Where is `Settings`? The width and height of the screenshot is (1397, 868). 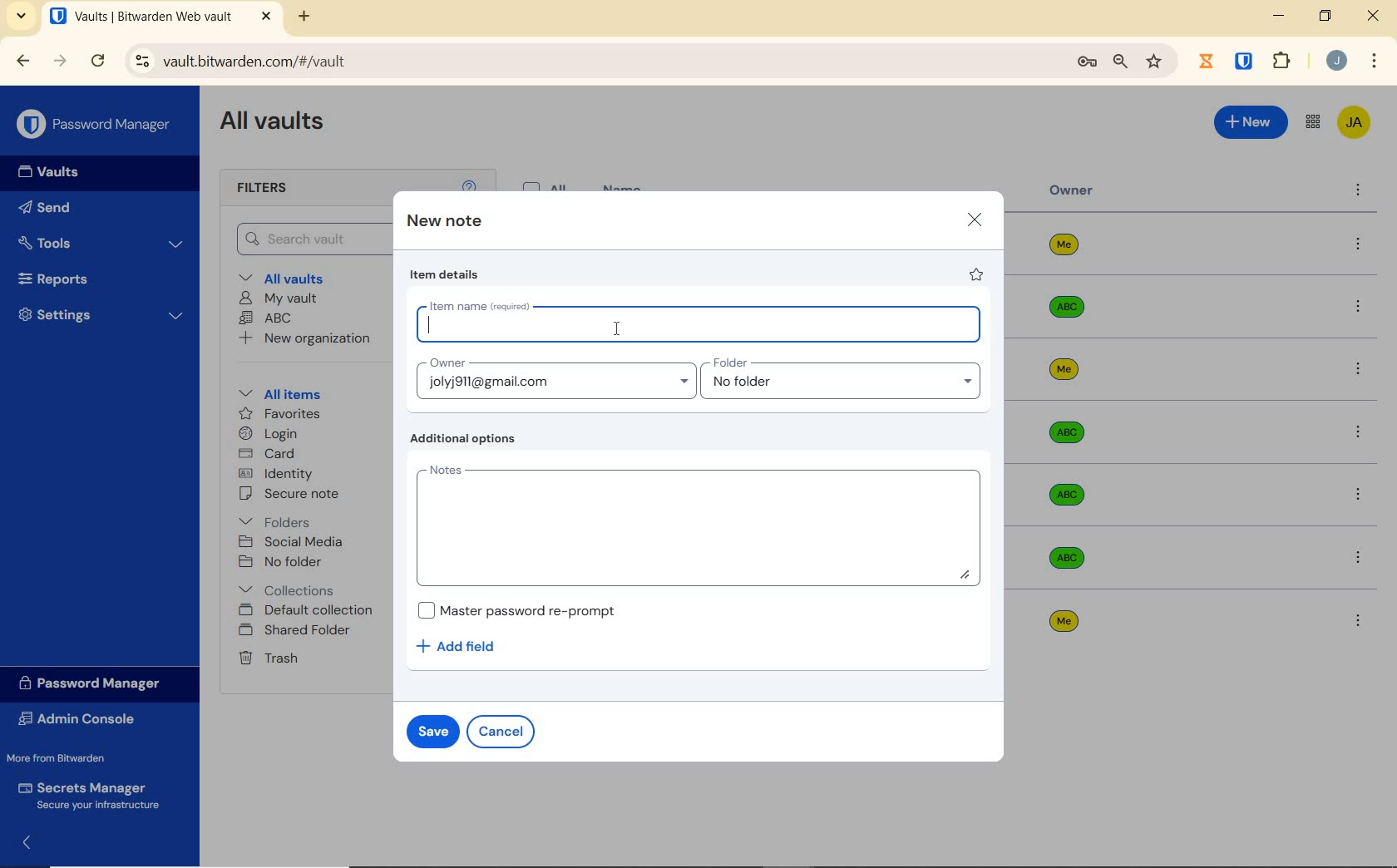 Settings is located at coordinates (102, 318).